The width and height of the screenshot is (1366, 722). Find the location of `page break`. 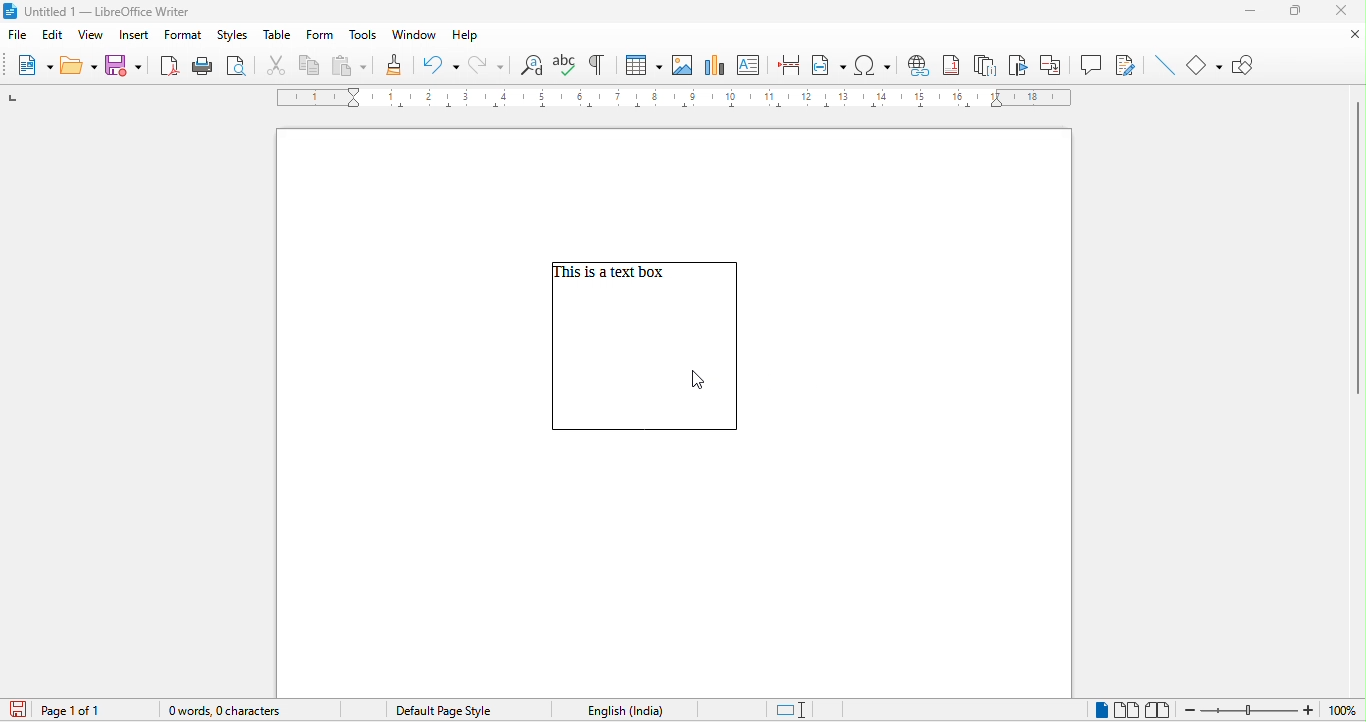

page break is located at coordinates (787, 63).